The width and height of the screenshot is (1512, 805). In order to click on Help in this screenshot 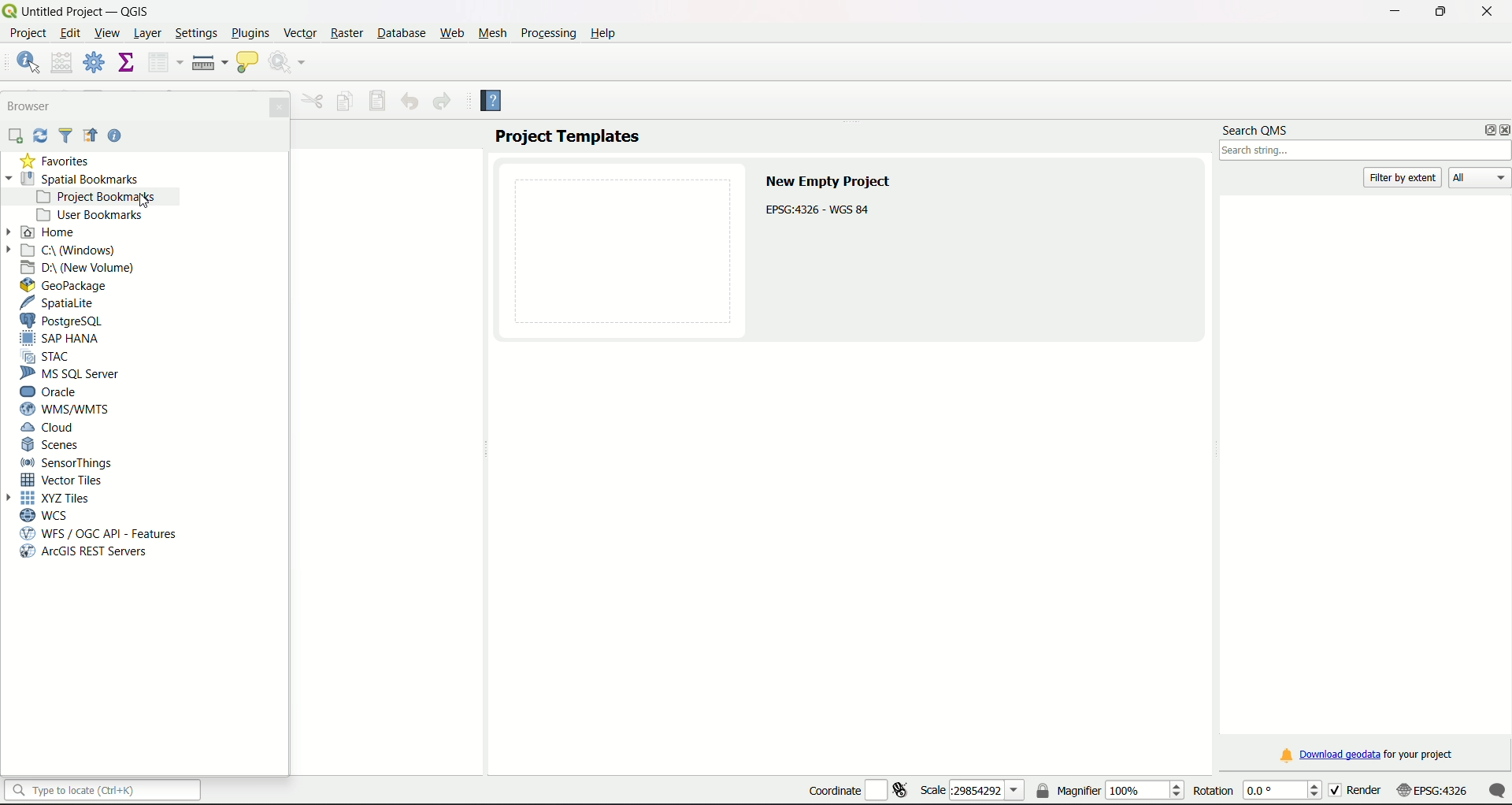, I will do `click(116, 137)`.